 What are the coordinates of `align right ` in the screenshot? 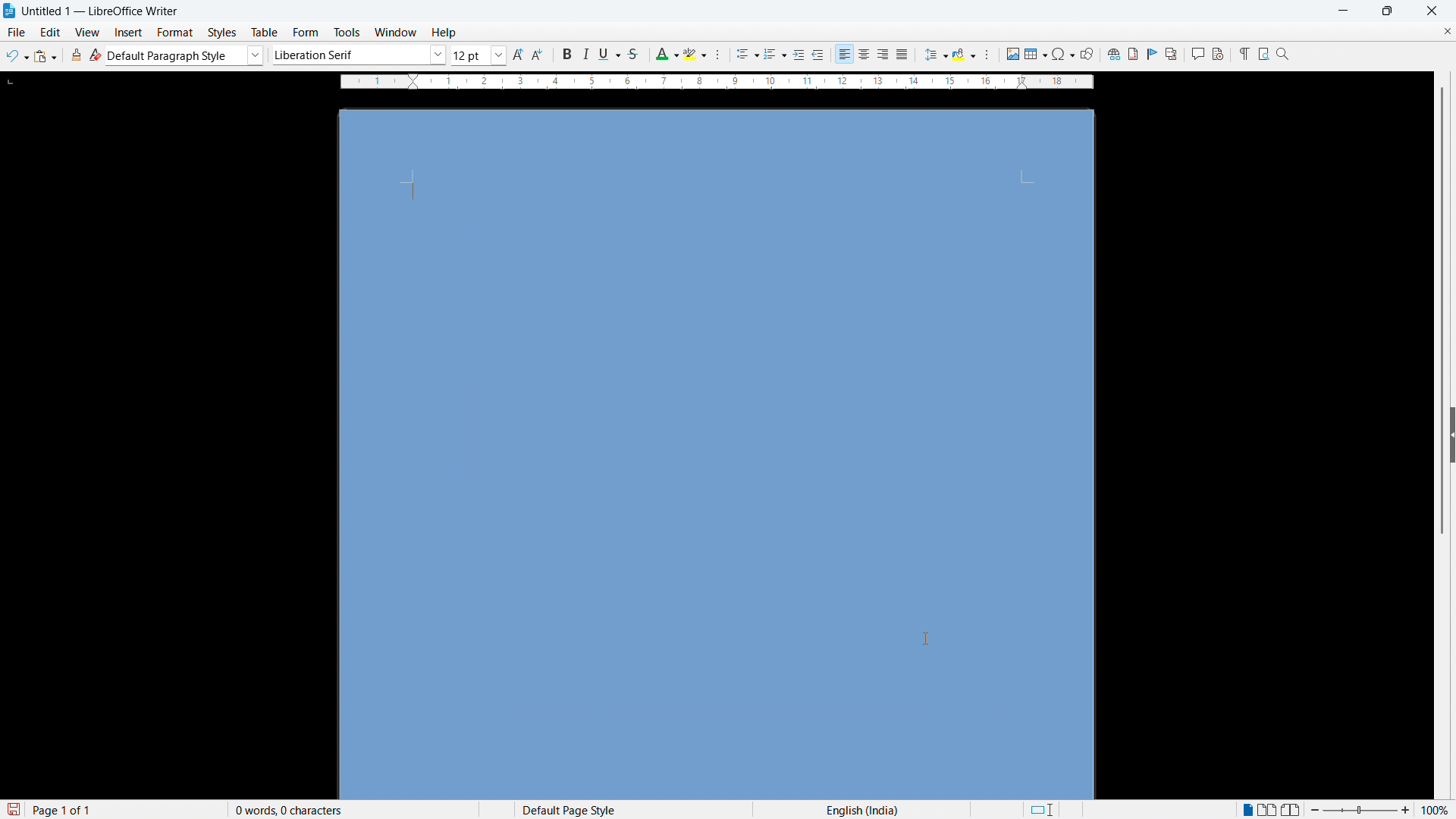 It's located at (883, 55).